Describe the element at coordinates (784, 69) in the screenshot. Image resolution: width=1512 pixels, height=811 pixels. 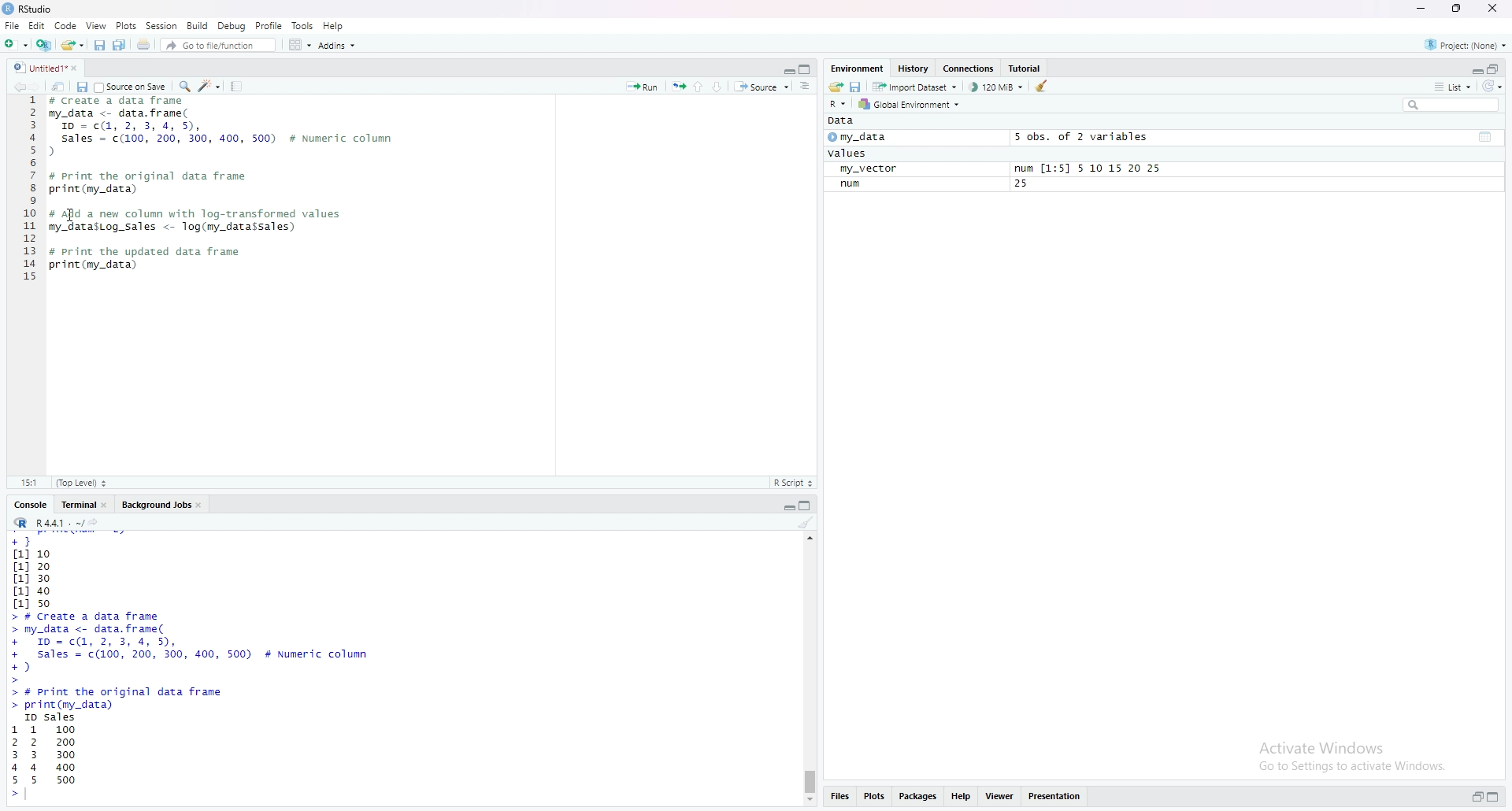
I see `minimize` at that location.